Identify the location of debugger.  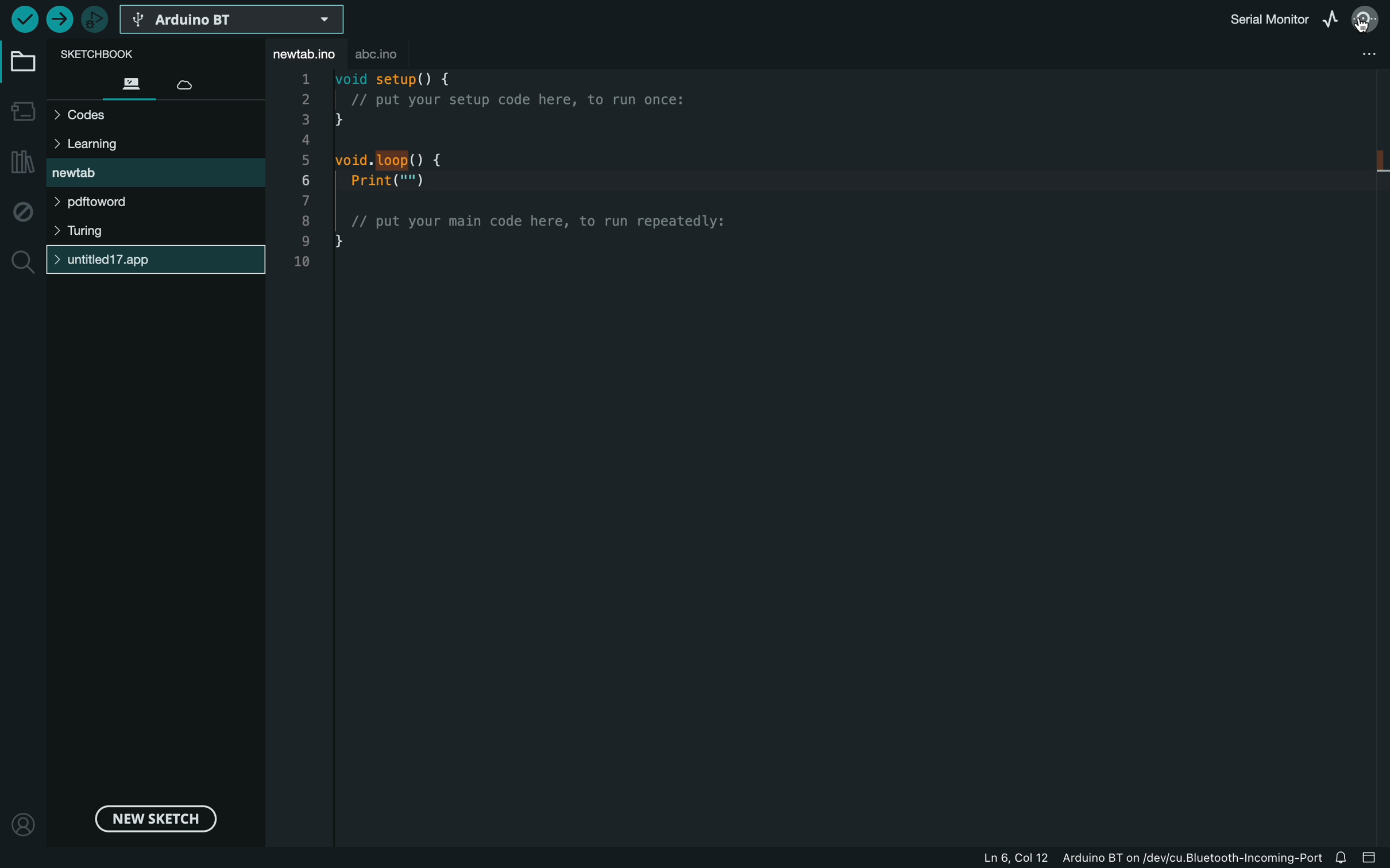
(94, 18).